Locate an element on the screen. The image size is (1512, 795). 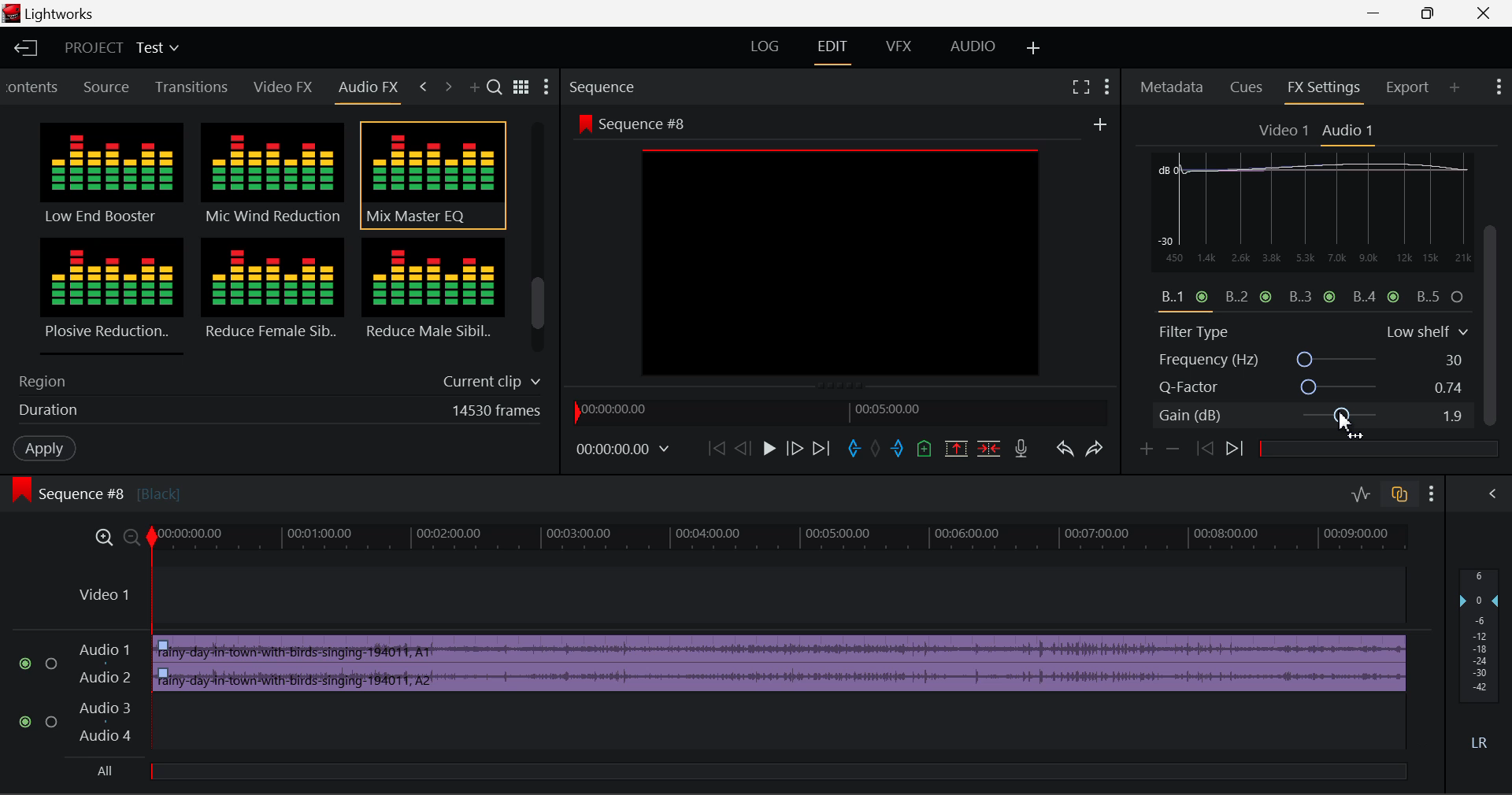
Video 1 is located at coordinates (1284, 131).